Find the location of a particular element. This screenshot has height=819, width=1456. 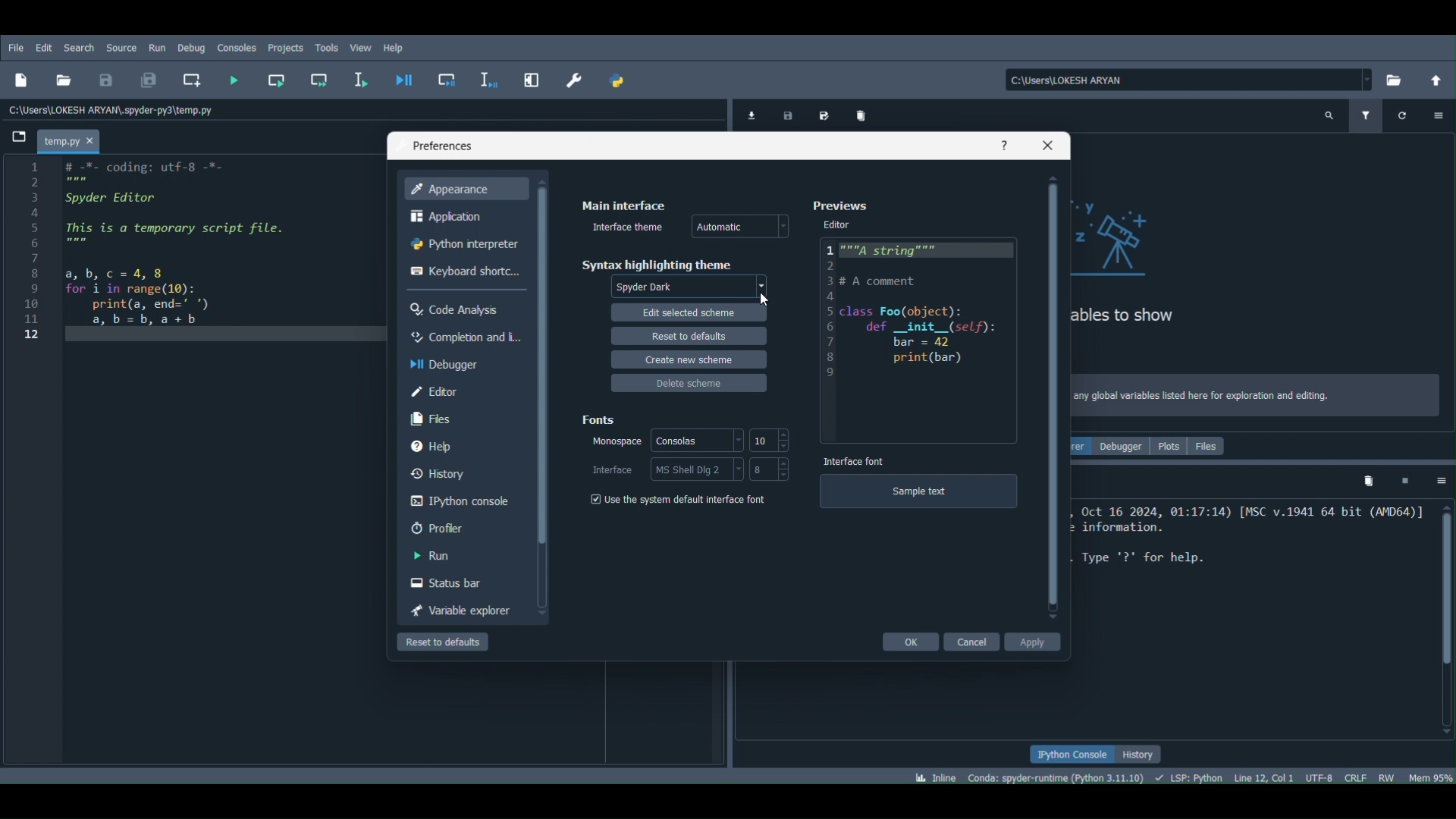

Debug file (Ctrl + F5) is located at coordinates (403, 81).